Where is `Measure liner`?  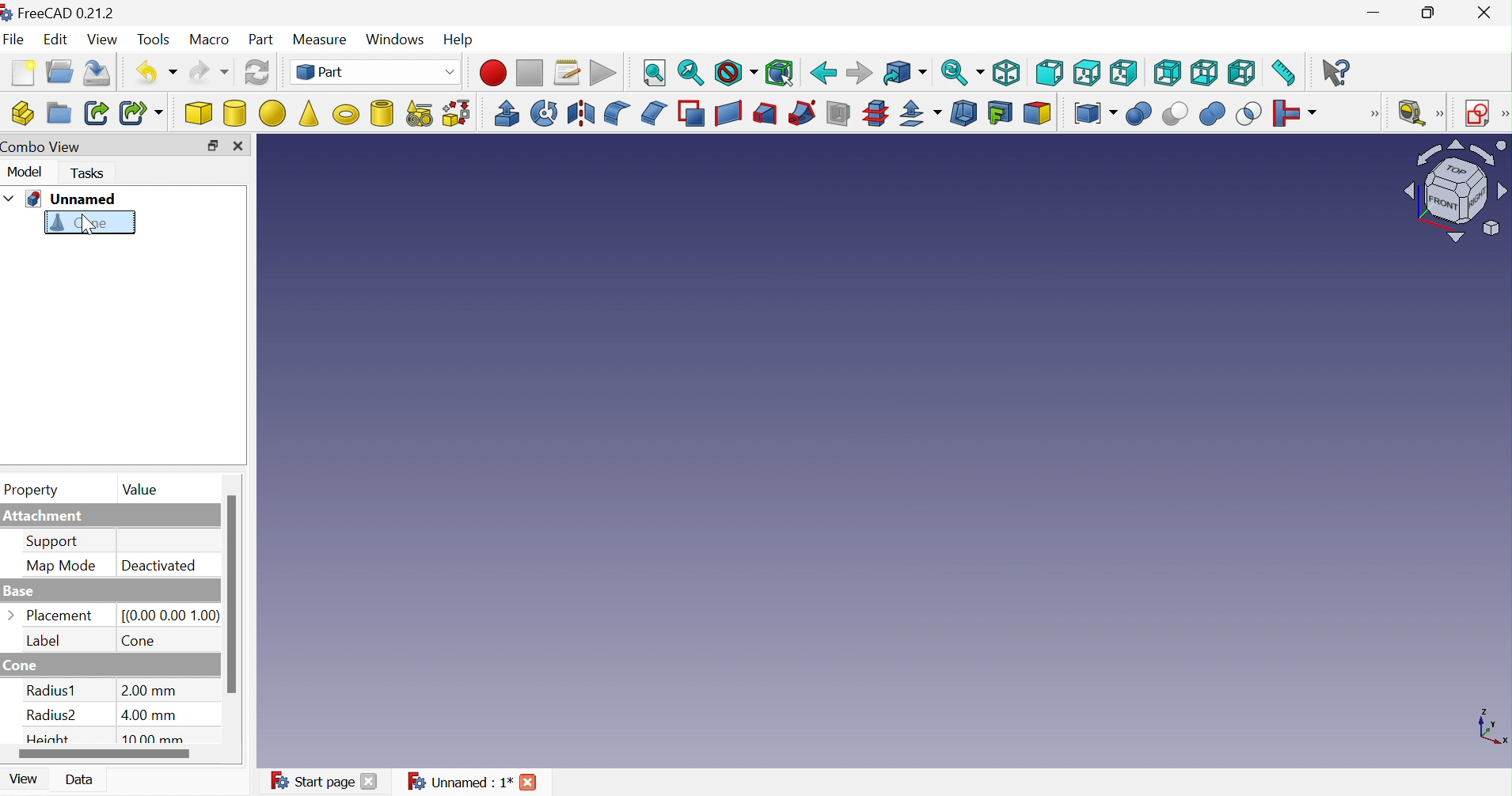
Measure liner is located at coordinates (1413, 112).